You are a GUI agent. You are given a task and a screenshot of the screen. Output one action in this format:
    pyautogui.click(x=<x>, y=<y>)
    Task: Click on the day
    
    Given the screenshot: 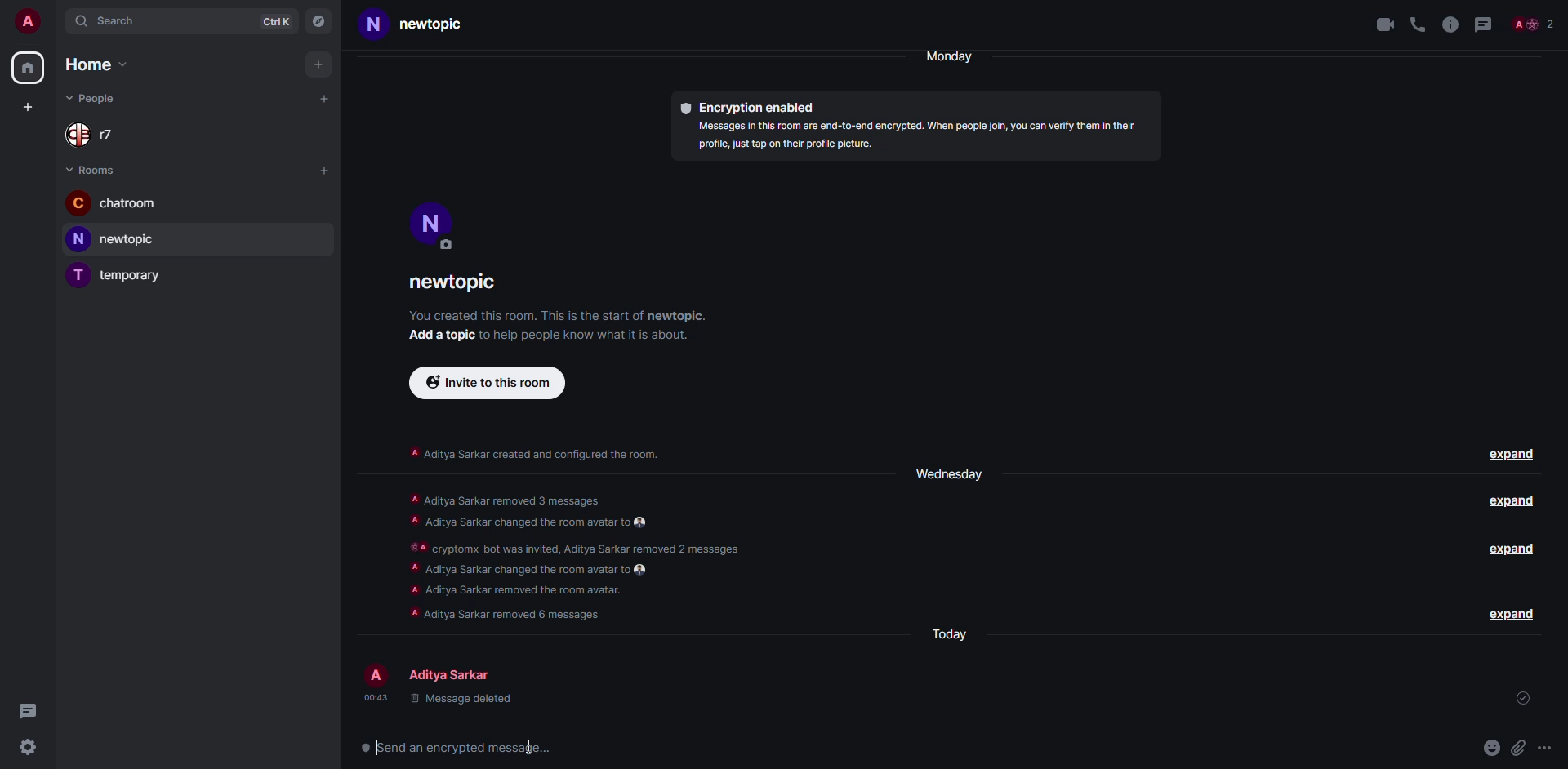 What is the action you would take?
    pyautogui.click(x=948, y=632)
    